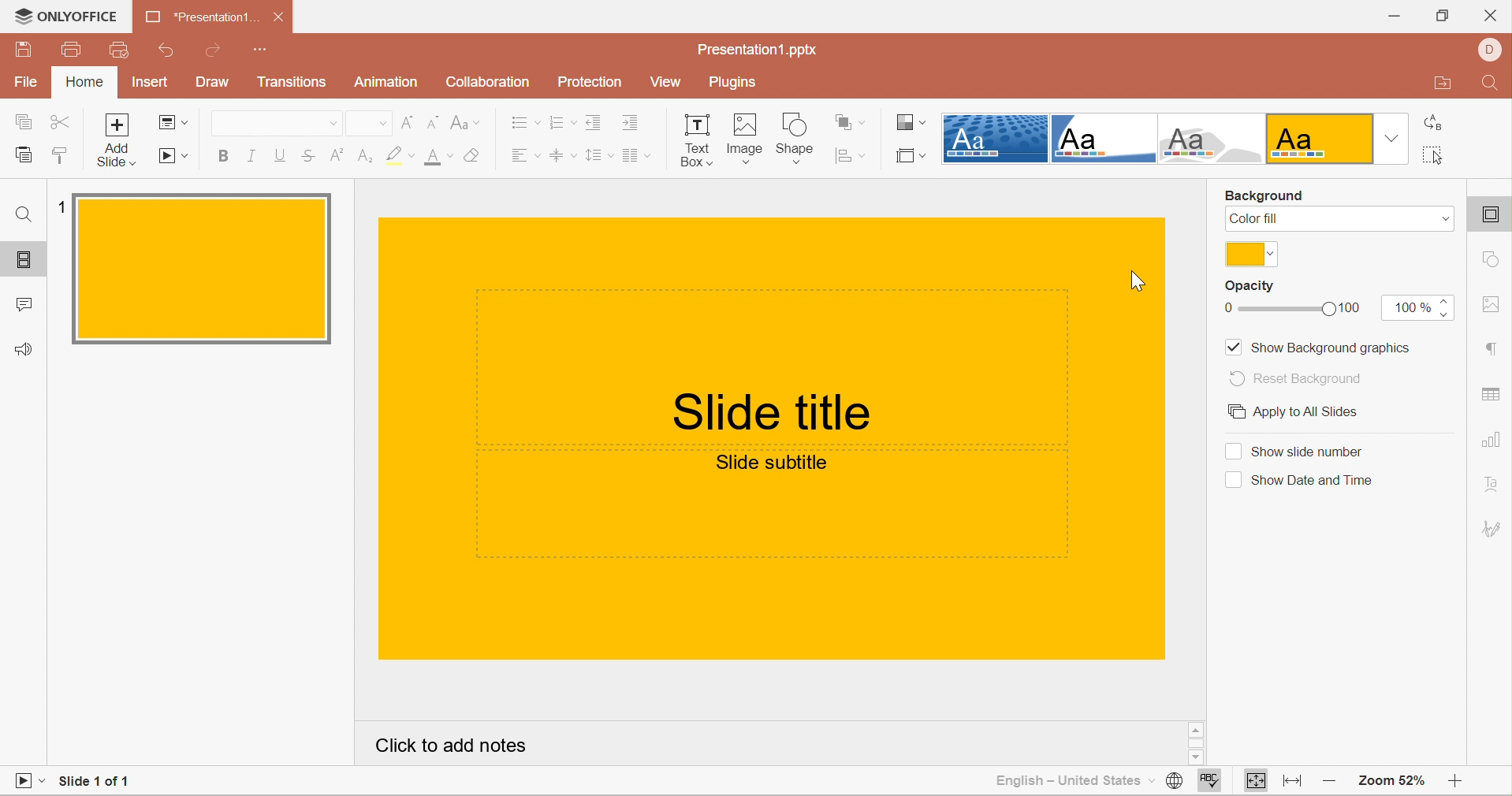  Describe the element at coordinates (20, 121) in the screenshot. I see `Copy` at that location.